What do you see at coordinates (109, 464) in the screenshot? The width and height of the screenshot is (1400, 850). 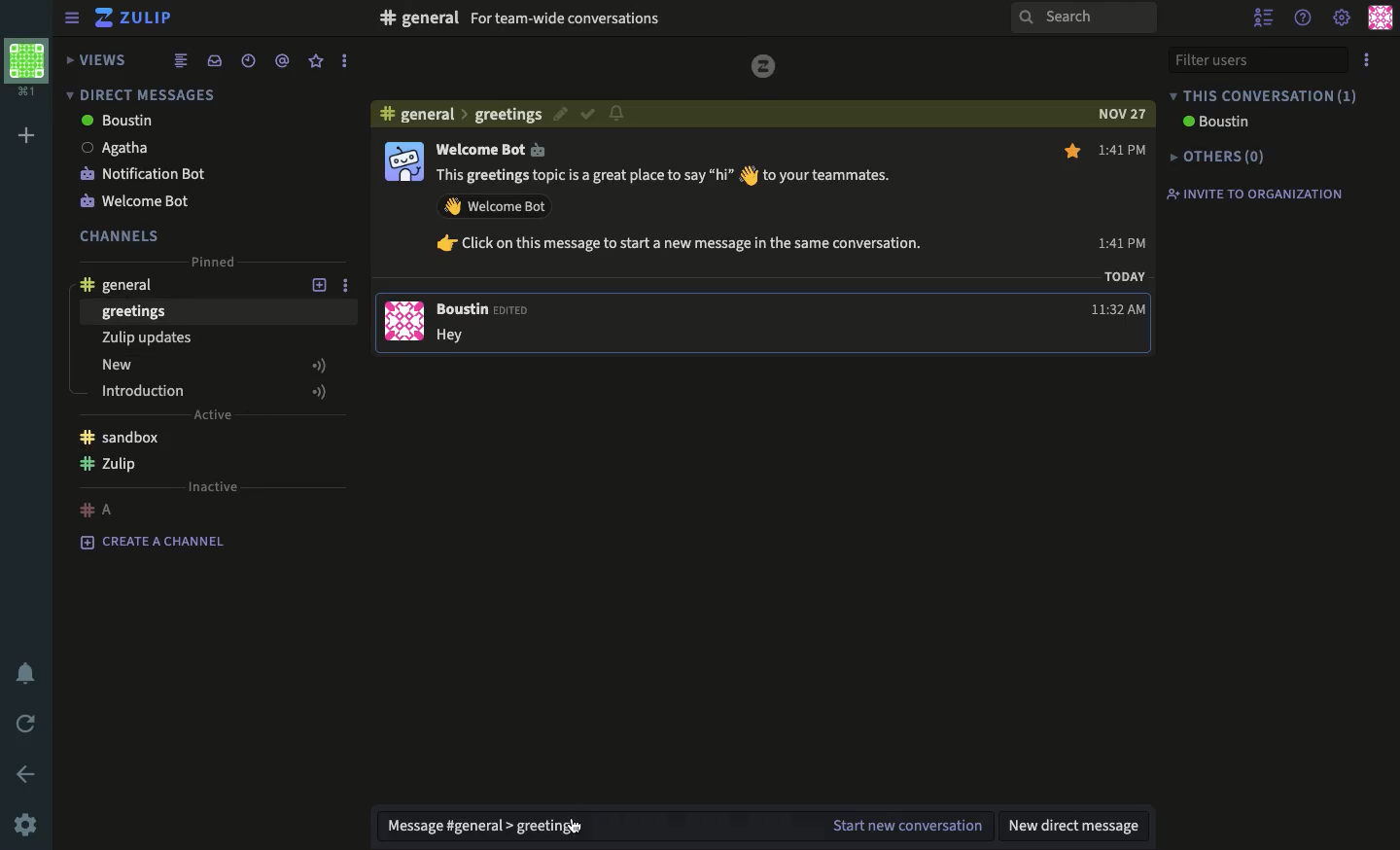 I see `Zulip` at bounding box center [109, 464].